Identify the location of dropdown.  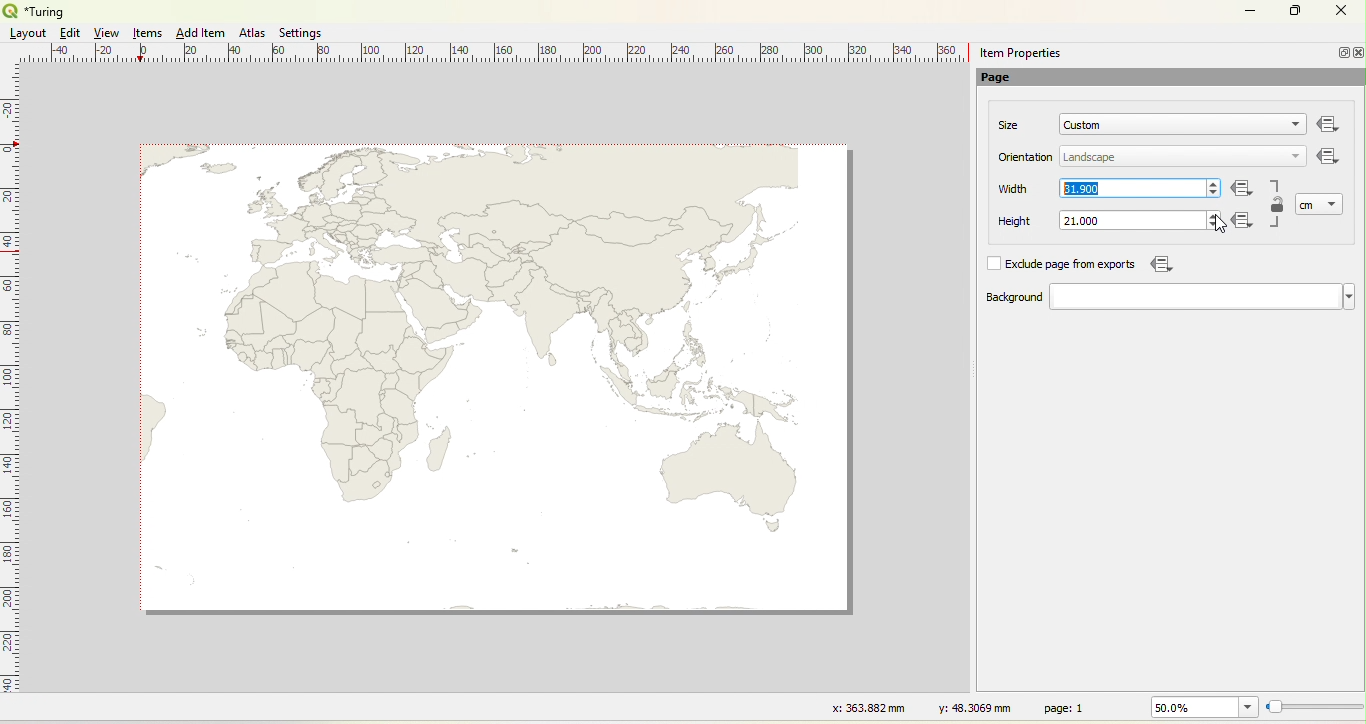
(1296, 155).